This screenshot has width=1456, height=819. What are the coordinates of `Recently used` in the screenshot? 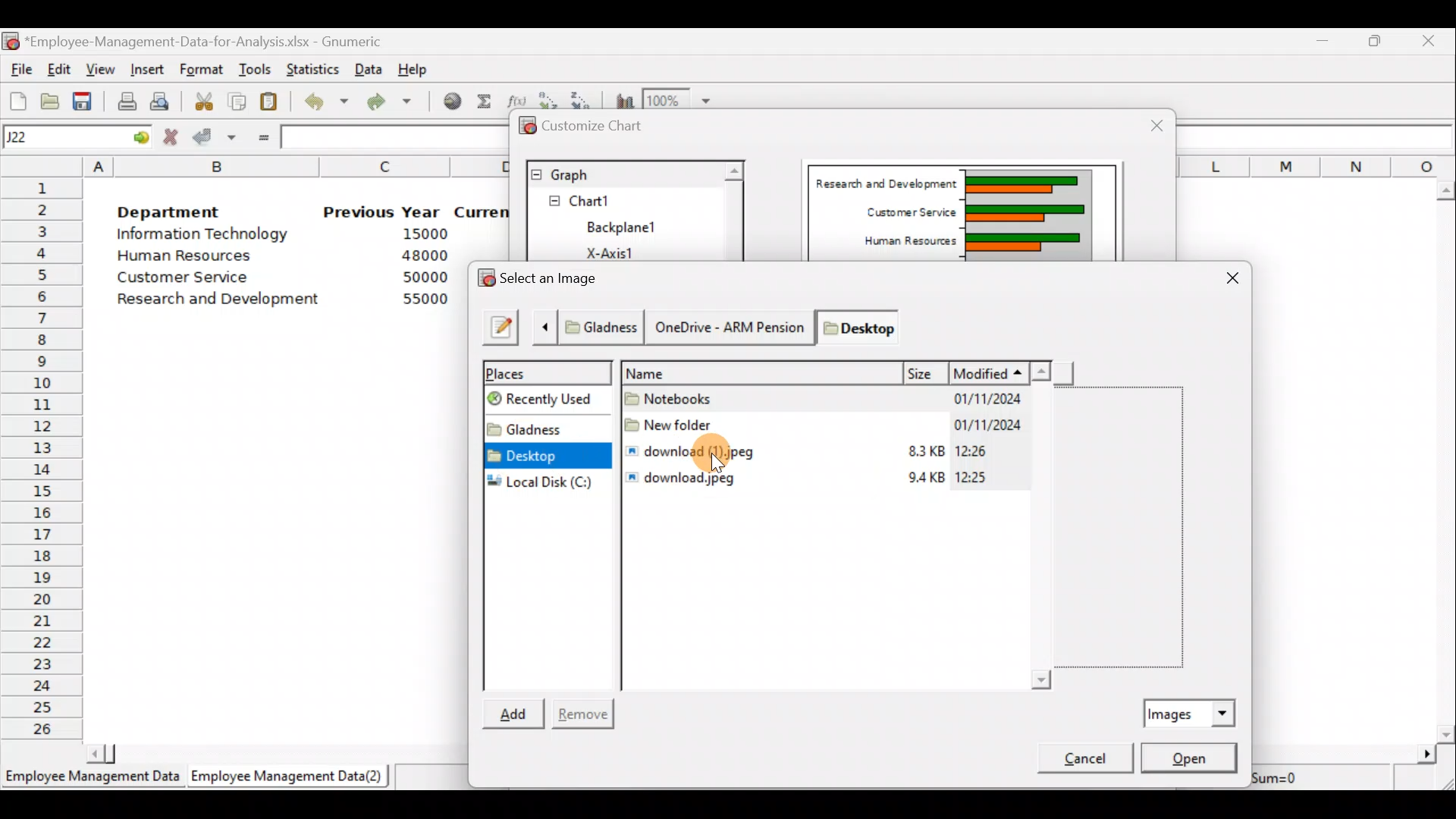 It's located at (552, 400).